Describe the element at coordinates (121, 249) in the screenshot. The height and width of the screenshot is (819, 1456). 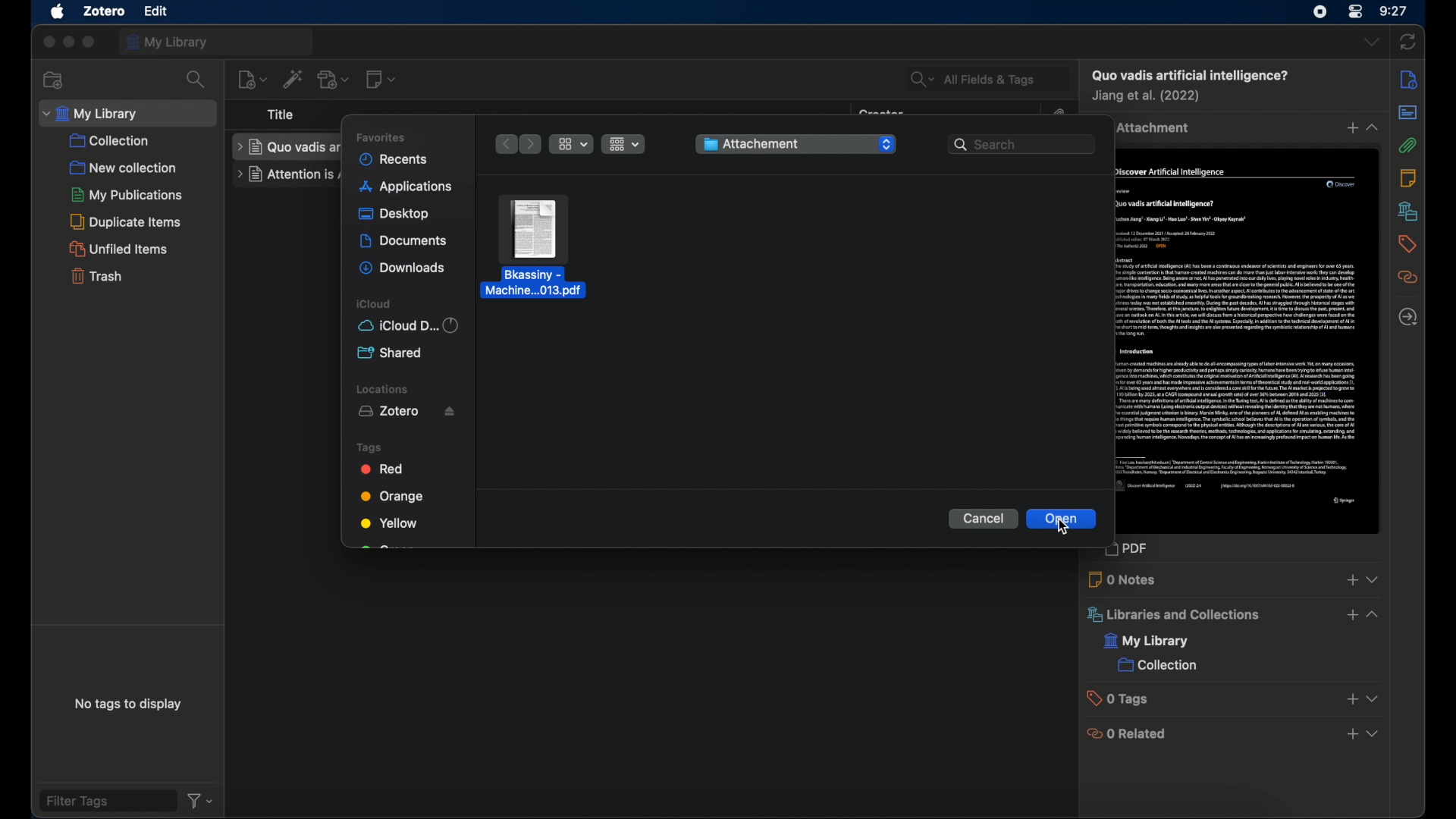
I see `unfilled items` at that location.